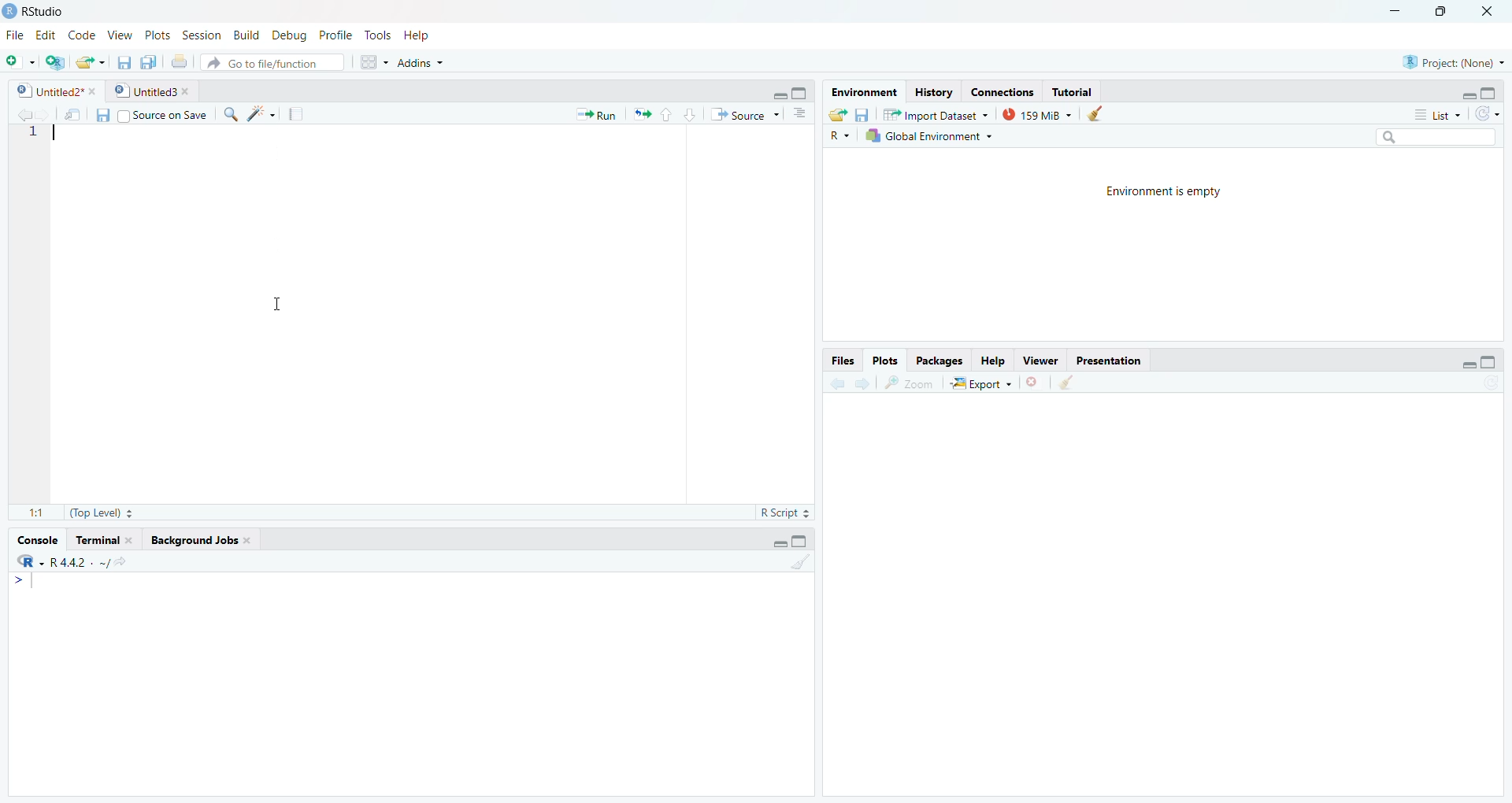 This screenshot has height=803, width=1512. Describe the element at coordinates (55, 91) in the screenshot. I see `Untitled2` at that location.